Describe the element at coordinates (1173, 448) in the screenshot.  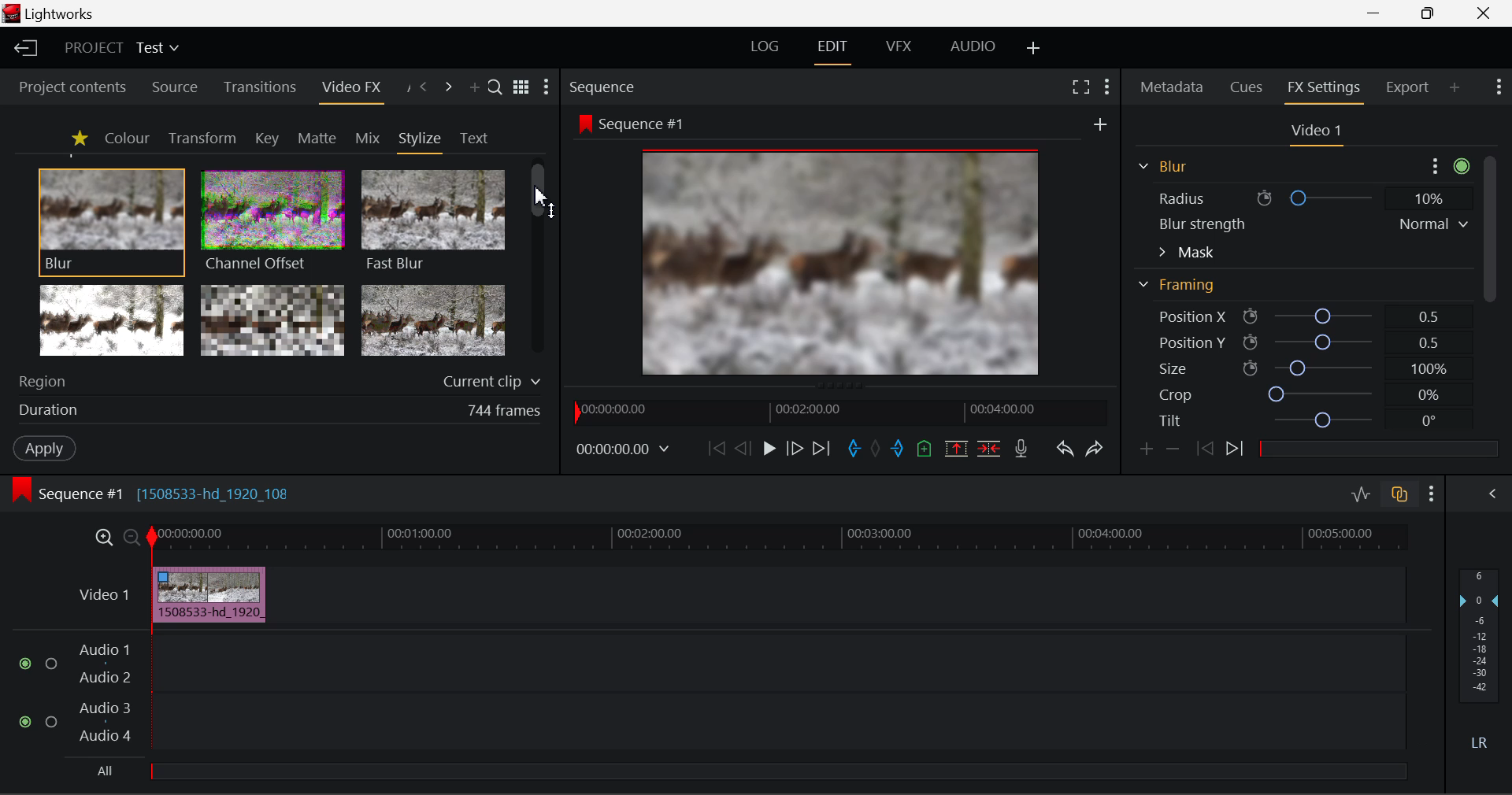
I see `Remove keyframe` at that location.